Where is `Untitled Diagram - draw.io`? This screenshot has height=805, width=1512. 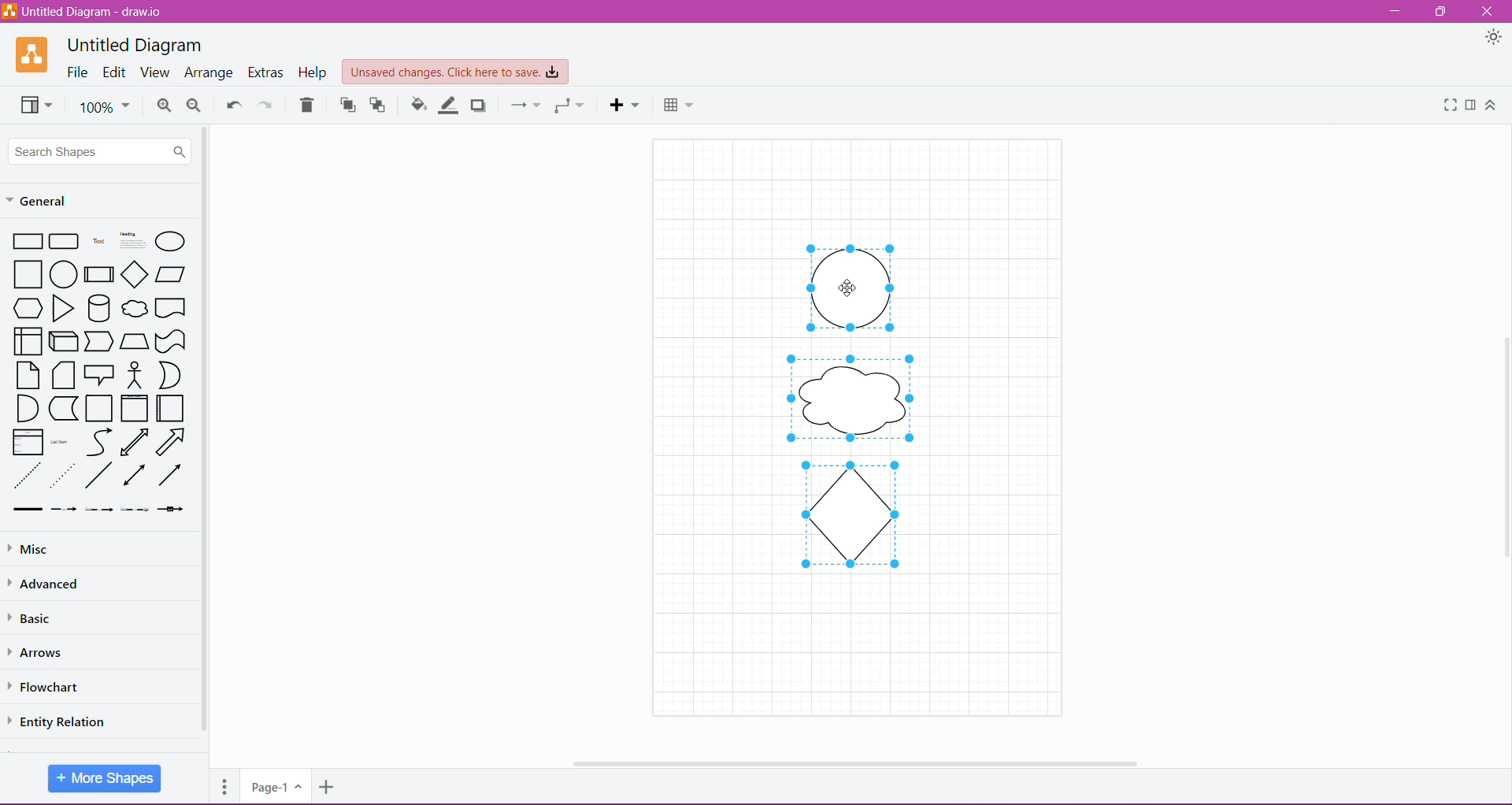 Untitled Diagram - draw.io is located at coordinates (88, 11).